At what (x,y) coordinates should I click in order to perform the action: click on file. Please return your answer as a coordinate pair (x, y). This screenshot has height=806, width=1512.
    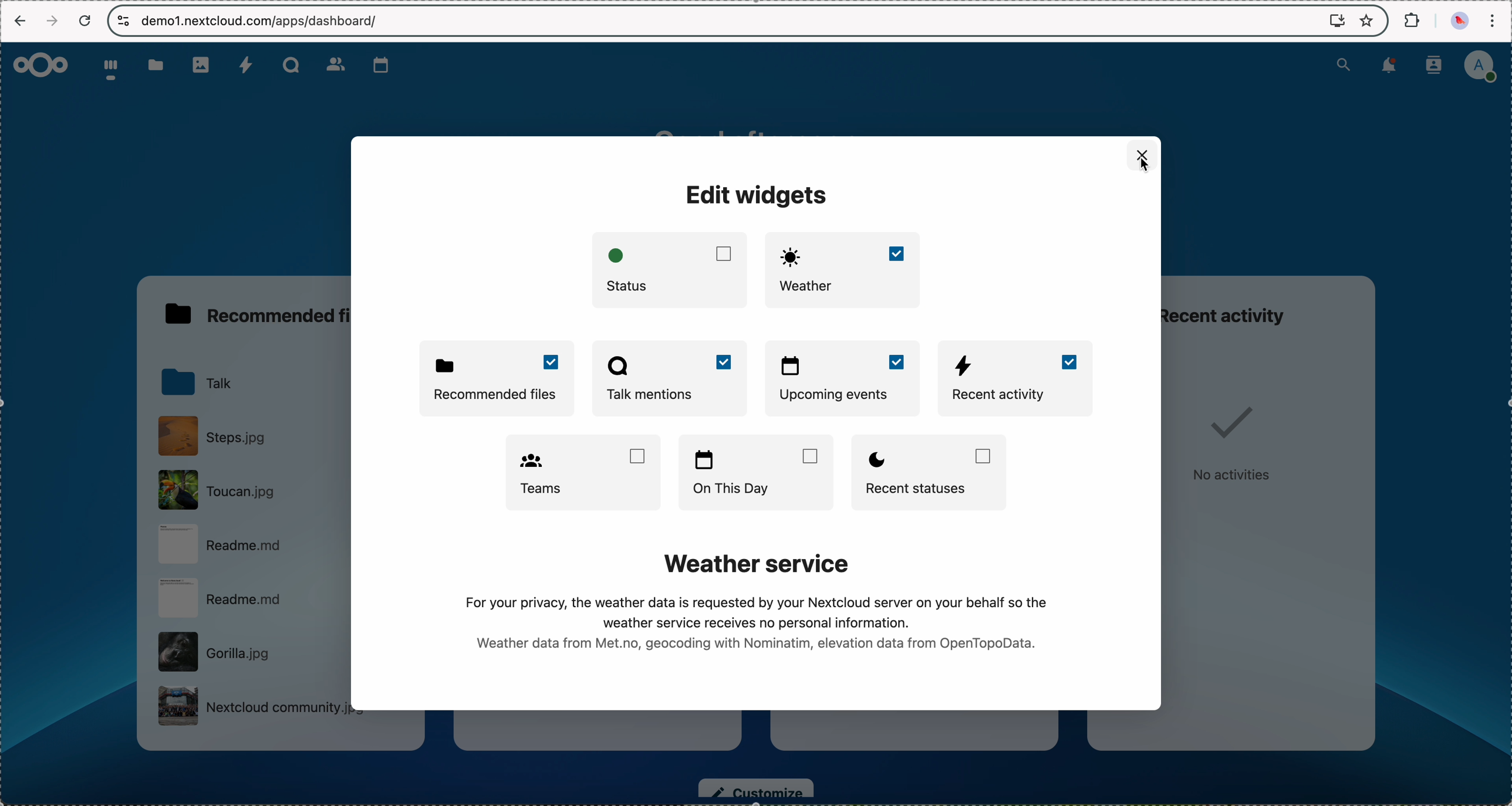
    Looking at the image, I should click on (249, 491).